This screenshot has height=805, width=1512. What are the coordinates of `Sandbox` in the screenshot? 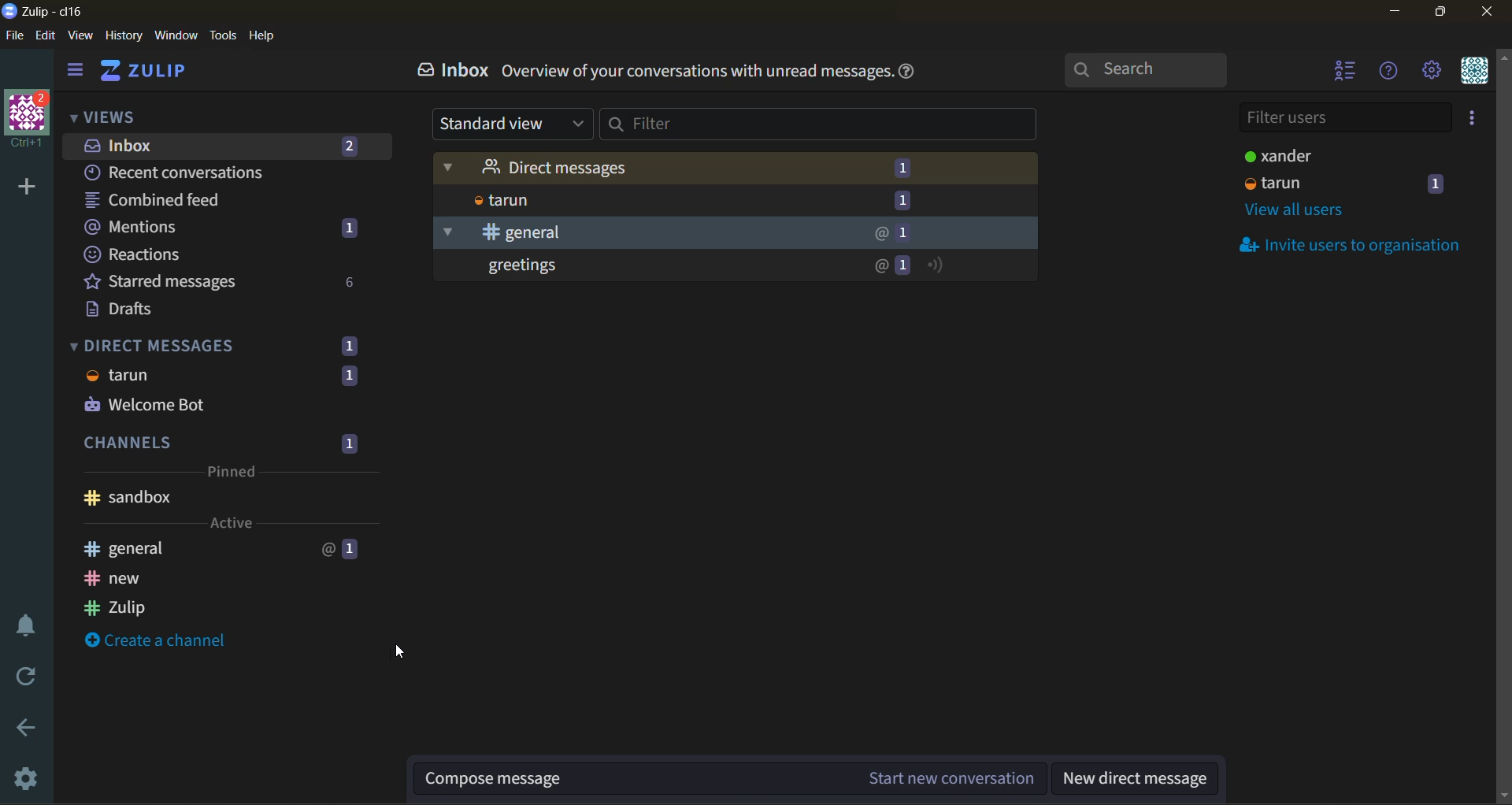 It's located at (233, 501).